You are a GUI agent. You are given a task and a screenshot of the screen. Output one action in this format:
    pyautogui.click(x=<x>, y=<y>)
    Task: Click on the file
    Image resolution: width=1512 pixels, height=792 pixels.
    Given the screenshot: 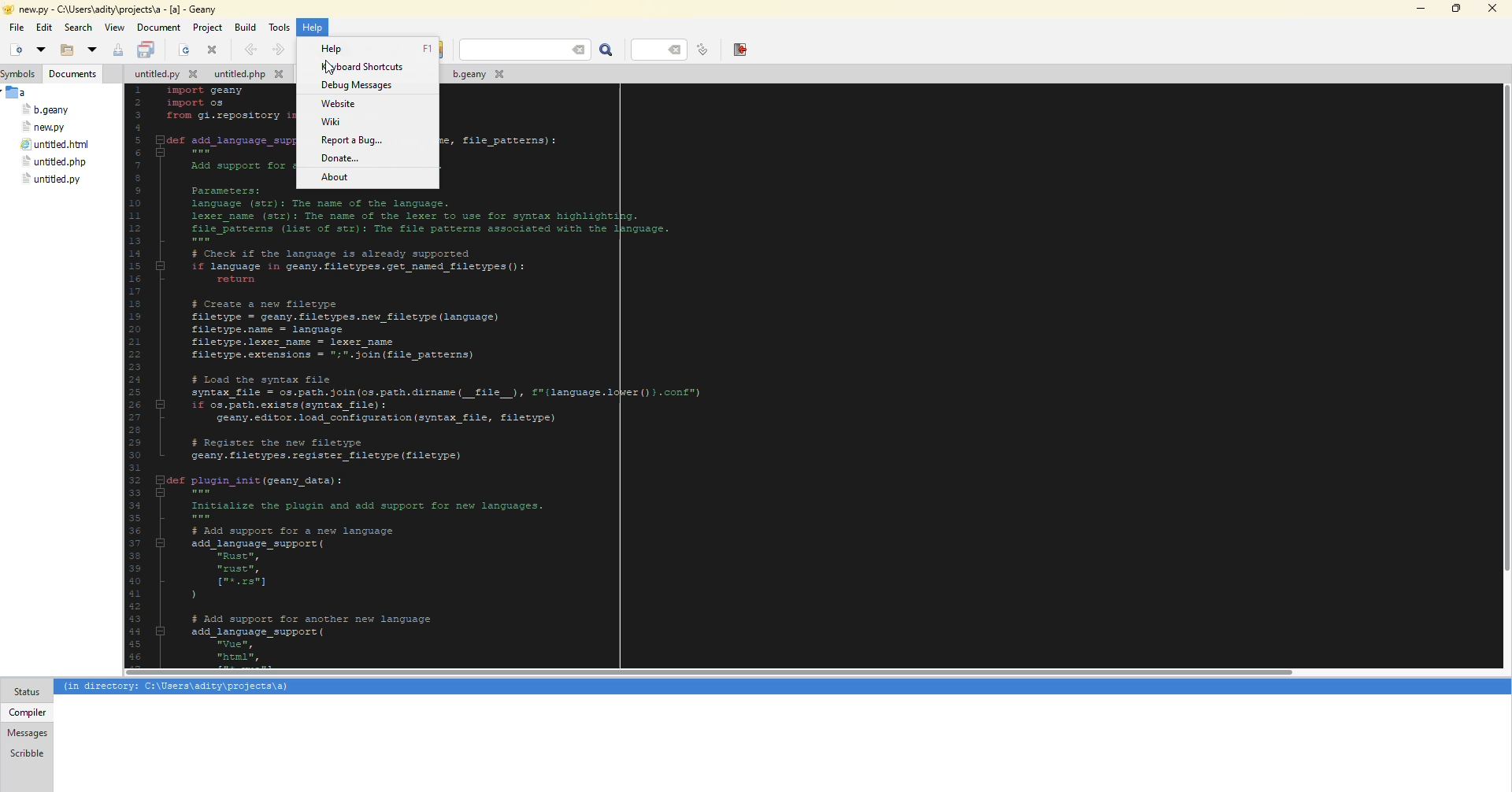 What is the action you would take?
    pyautogui.click(x=248, y=76)
    